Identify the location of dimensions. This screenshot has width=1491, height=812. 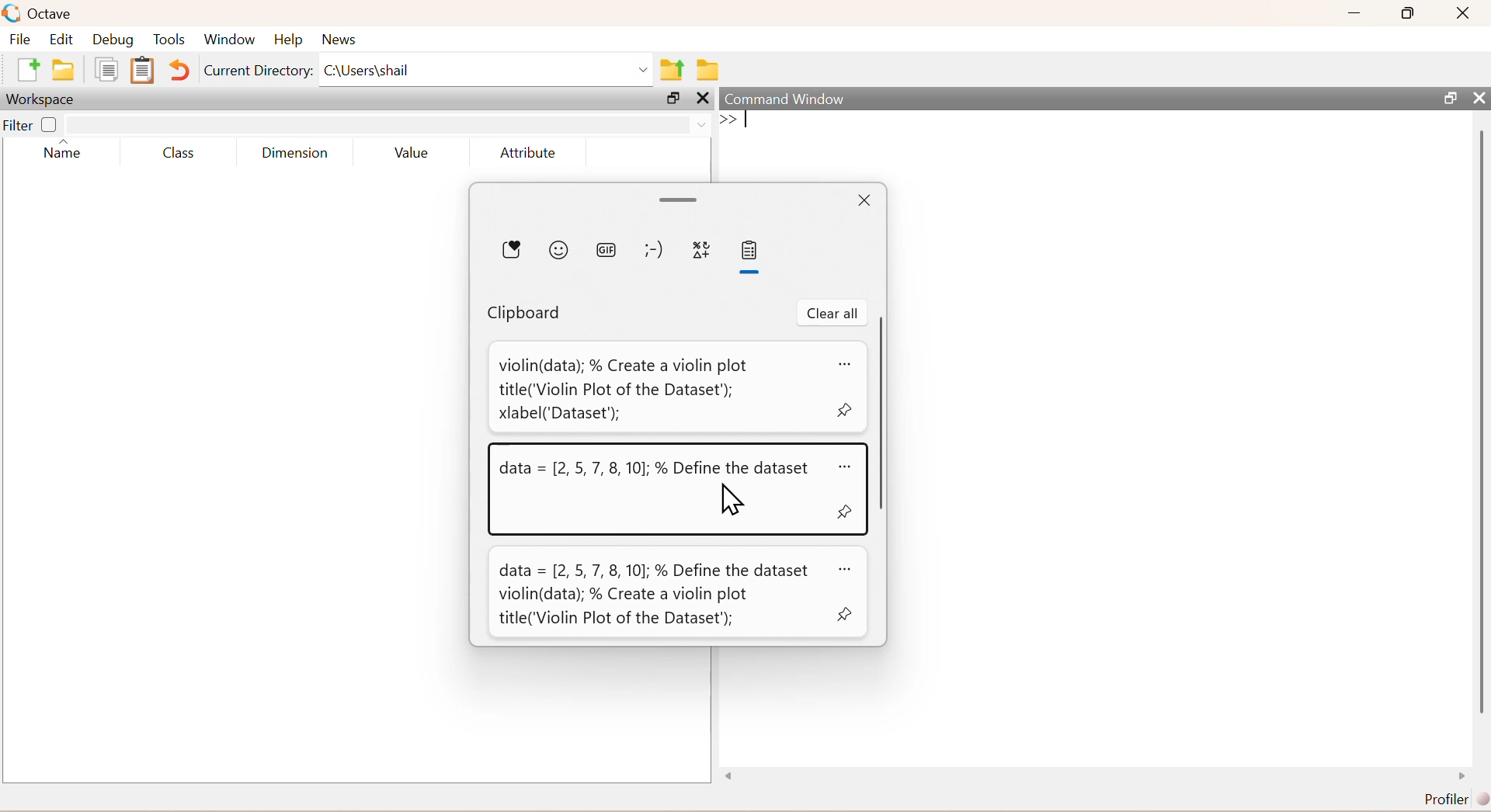
(296, 152).